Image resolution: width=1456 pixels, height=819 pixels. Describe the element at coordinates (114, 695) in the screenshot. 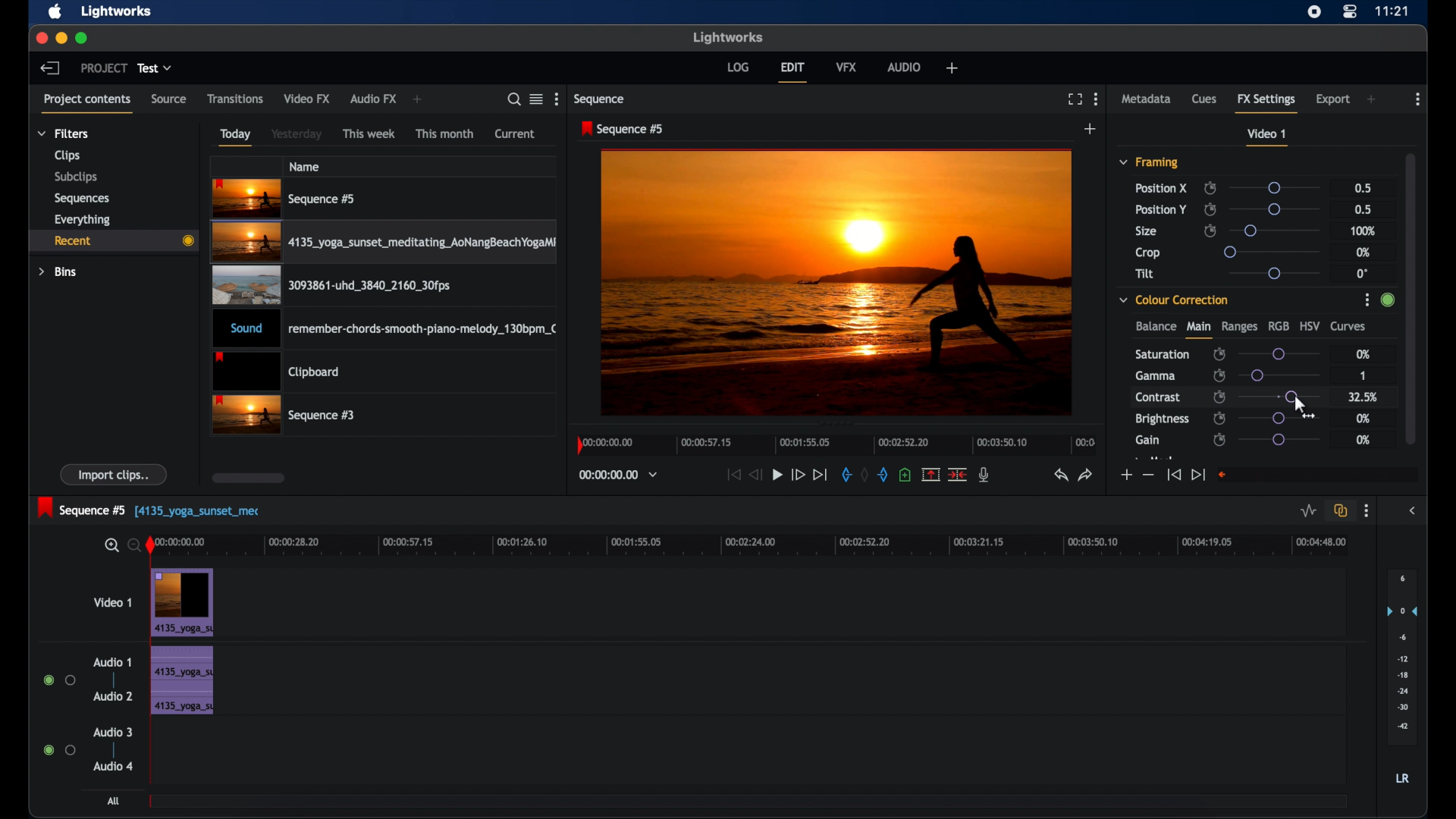

I see `audio 2` at that location.